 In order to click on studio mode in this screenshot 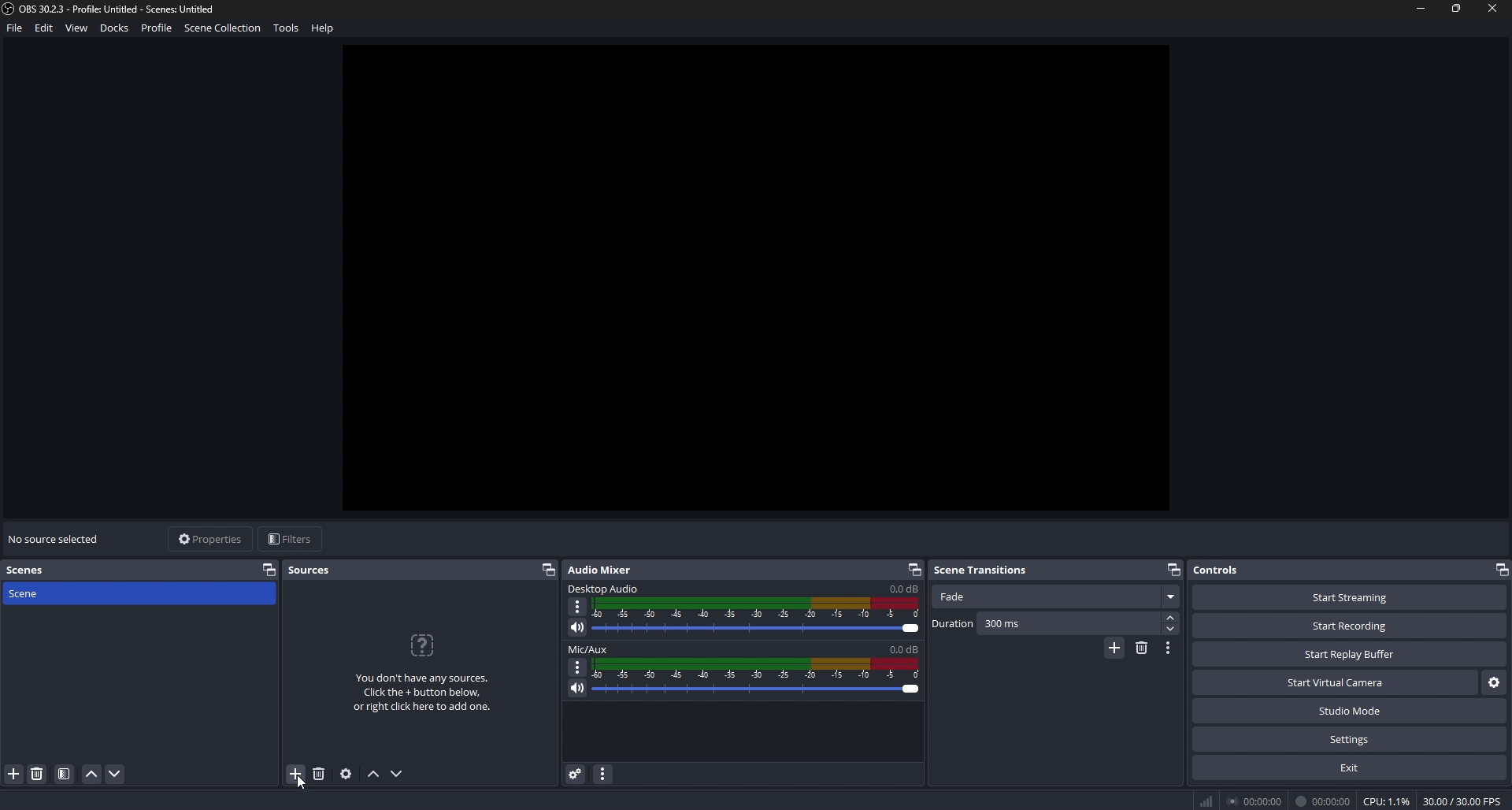, I will do `click(1350, 712)`.